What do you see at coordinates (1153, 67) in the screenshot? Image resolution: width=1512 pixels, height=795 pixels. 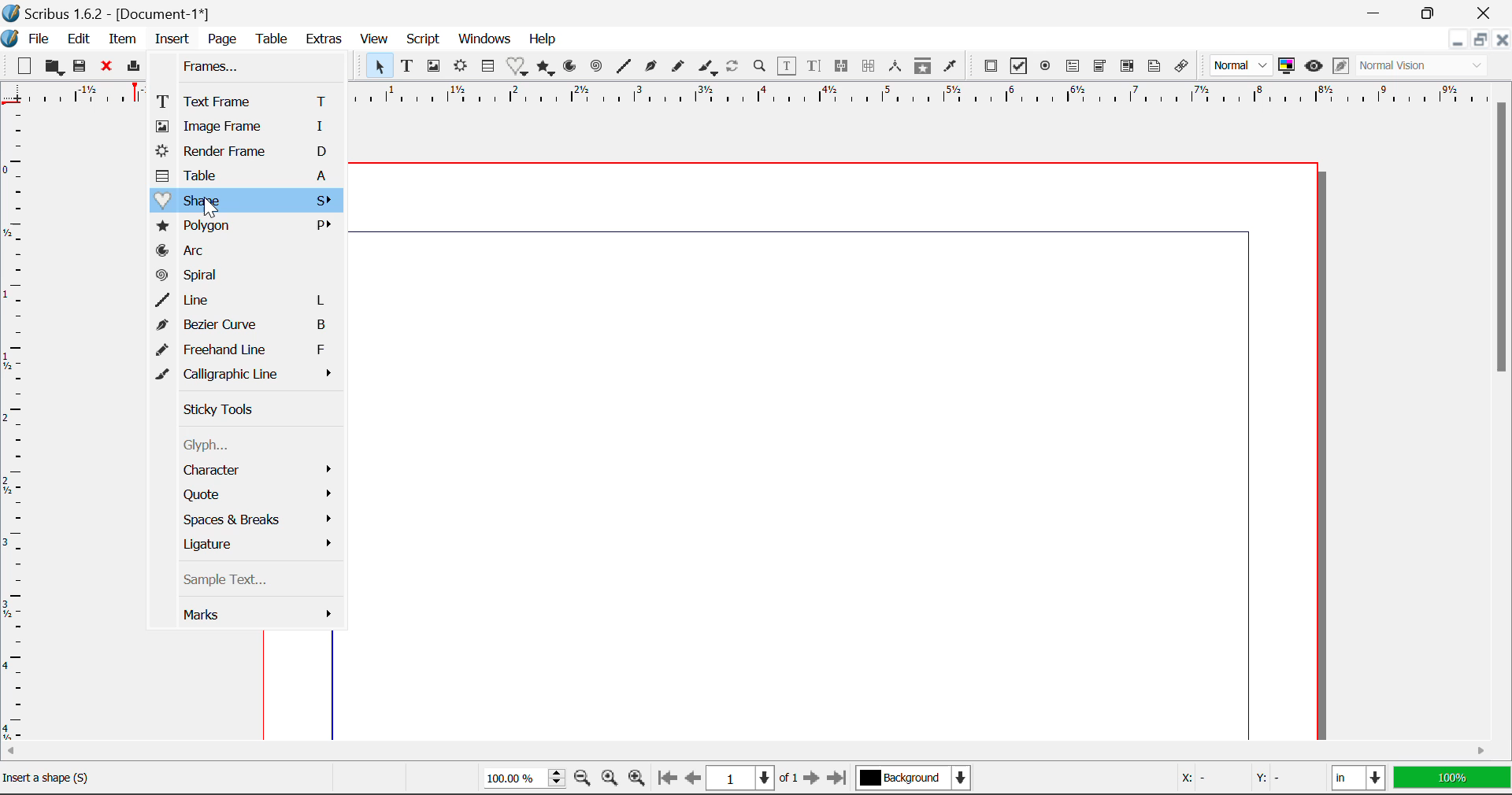 I see `Text Annotation` at bounding box center [1153, 67].